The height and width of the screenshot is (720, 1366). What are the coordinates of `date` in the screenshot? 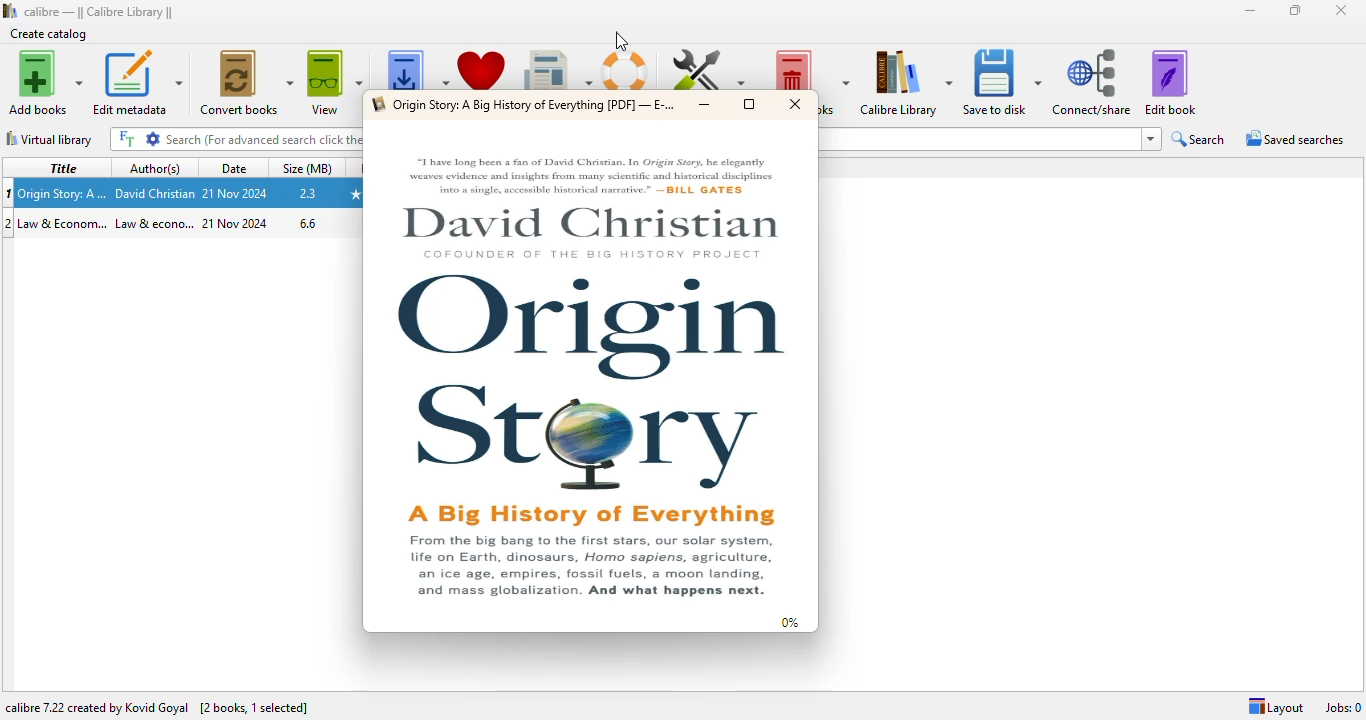 It's located at (237, 223).